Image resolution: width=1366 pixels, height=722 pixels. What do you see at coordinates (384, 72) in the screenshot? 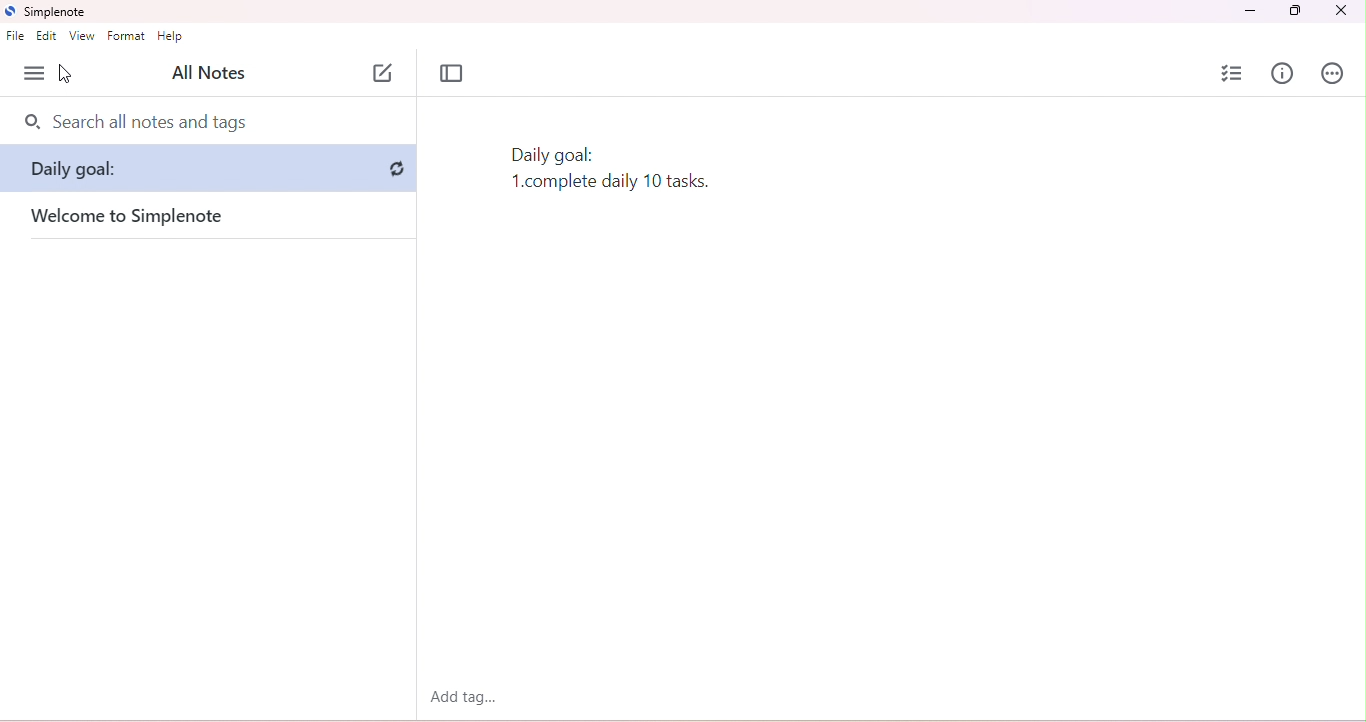
I see `new note` at bounding box center [384, 72].